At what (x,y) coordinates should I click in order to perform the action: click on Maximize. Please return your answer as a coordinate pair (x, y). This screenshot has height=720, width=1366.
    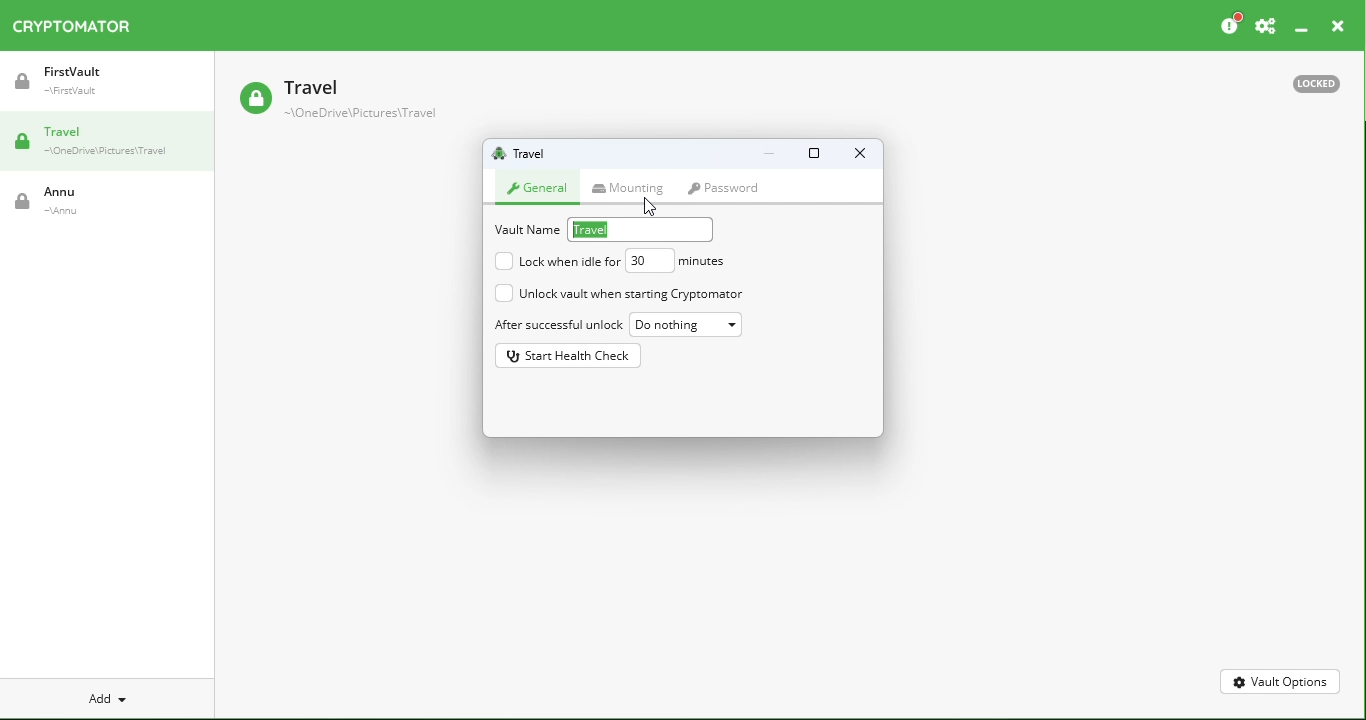
    Looking at the image, I should click on (812, 156).